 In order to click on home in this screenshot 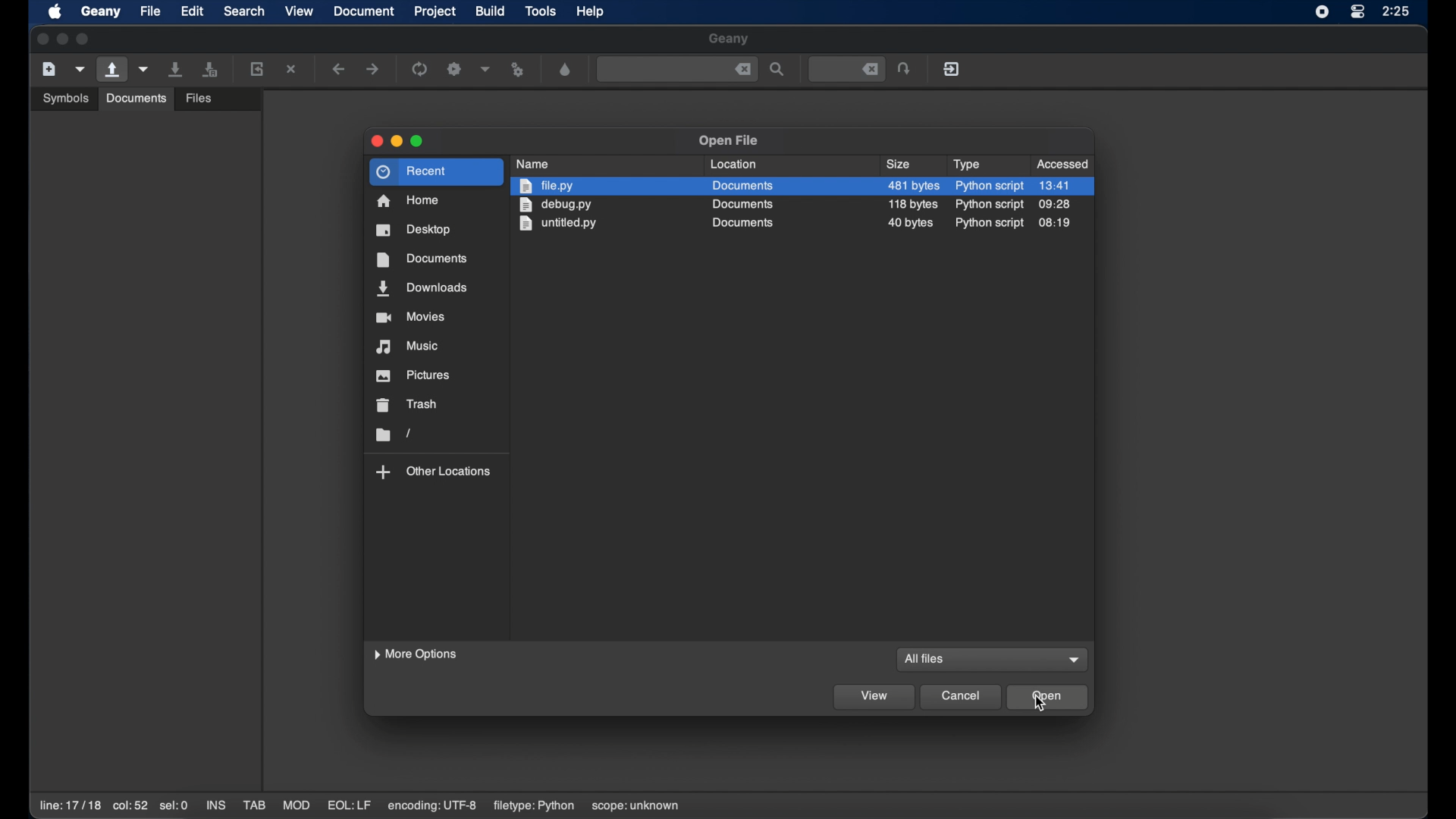, I will do `click(409, 202)`.